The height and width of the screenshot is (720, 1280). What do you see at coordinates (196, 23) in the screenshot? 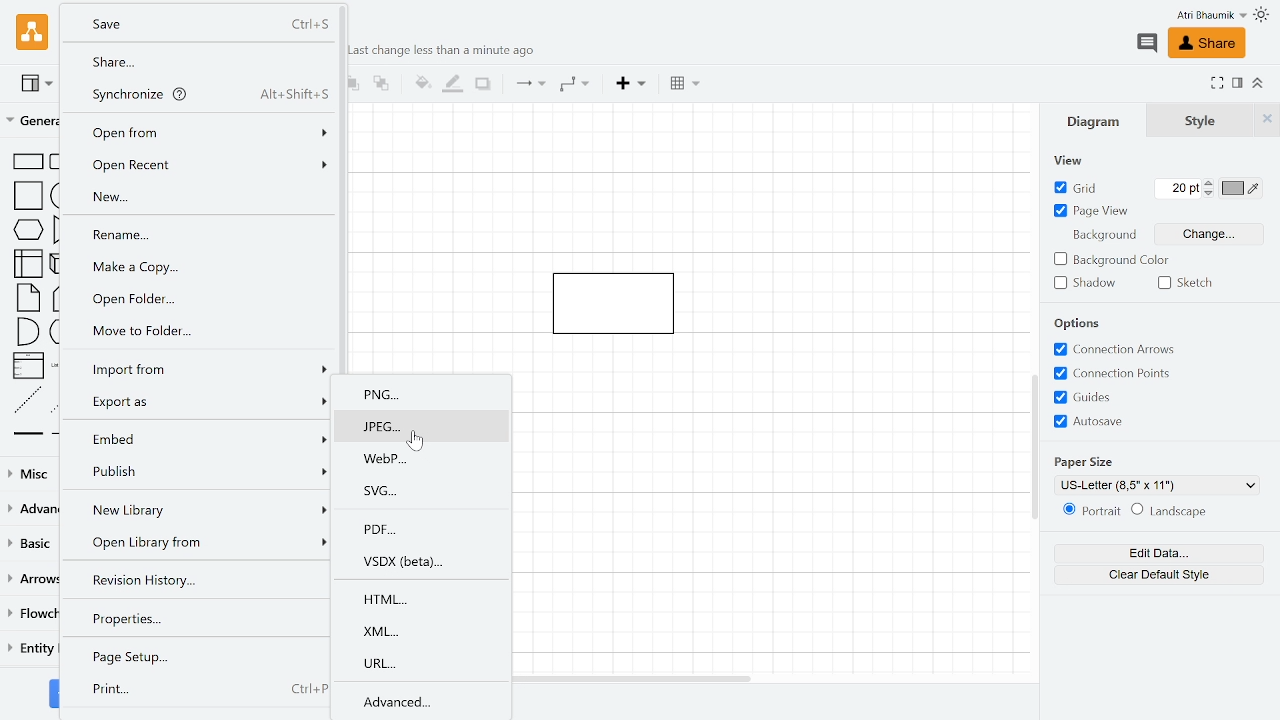
I see `Save` at bounding box center [196, 23].